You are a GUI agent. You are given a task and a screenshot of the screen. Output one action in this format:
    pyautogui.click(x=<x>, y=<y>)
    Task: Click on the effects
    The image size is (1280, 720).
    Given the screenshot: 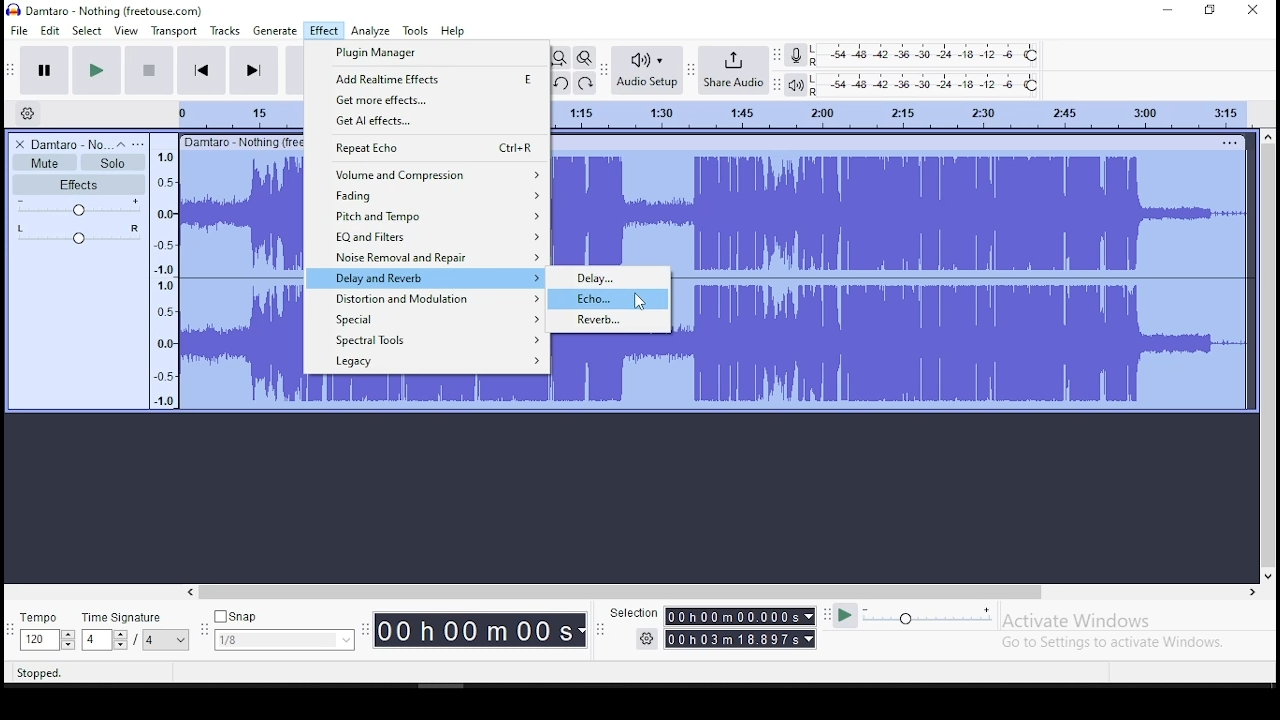 What is the action you would take?
    pyautogui.click(x=78, y=184)
    